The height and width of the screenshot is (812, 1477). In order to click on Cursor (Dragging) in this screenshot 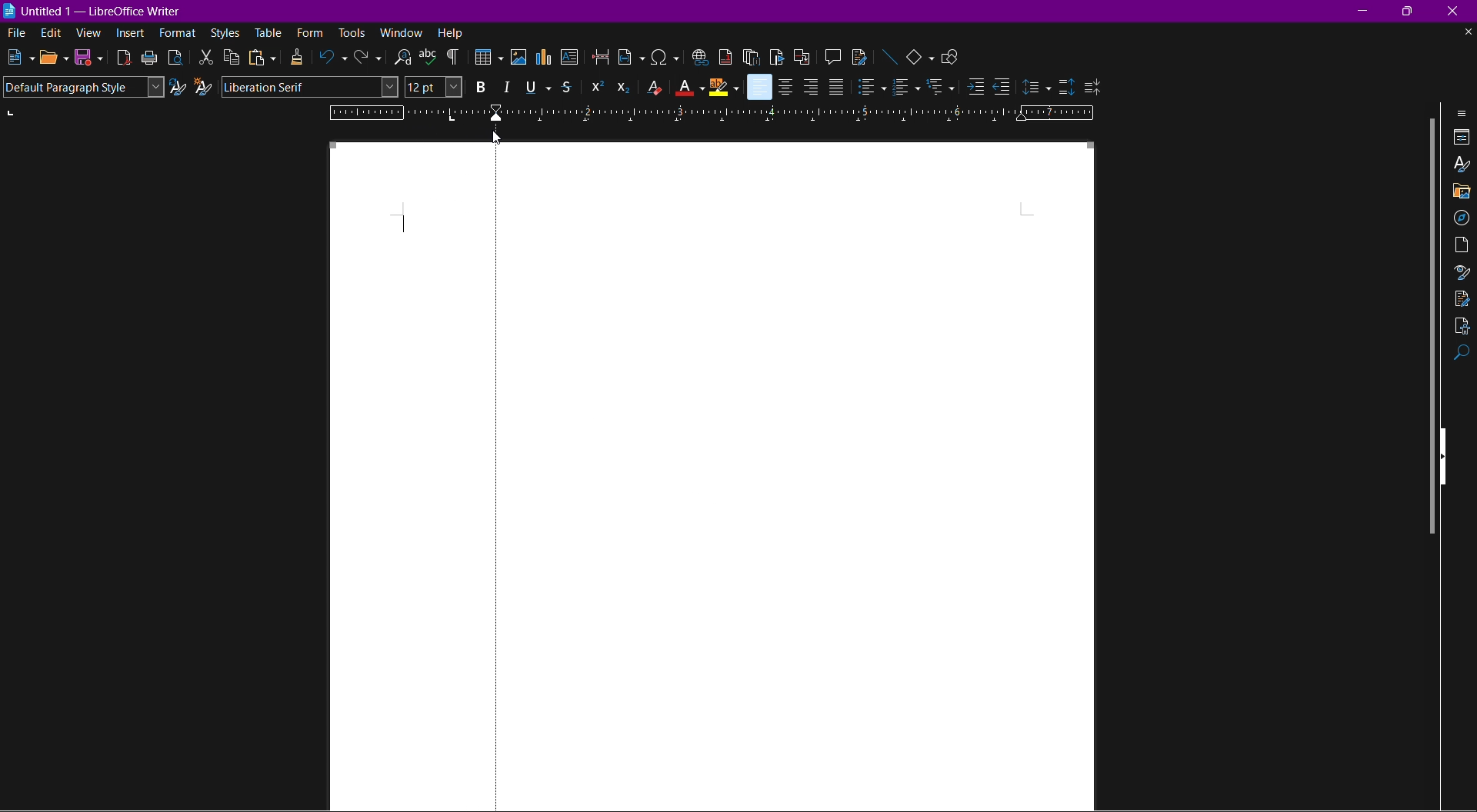, I will do `click(495, 136)`.